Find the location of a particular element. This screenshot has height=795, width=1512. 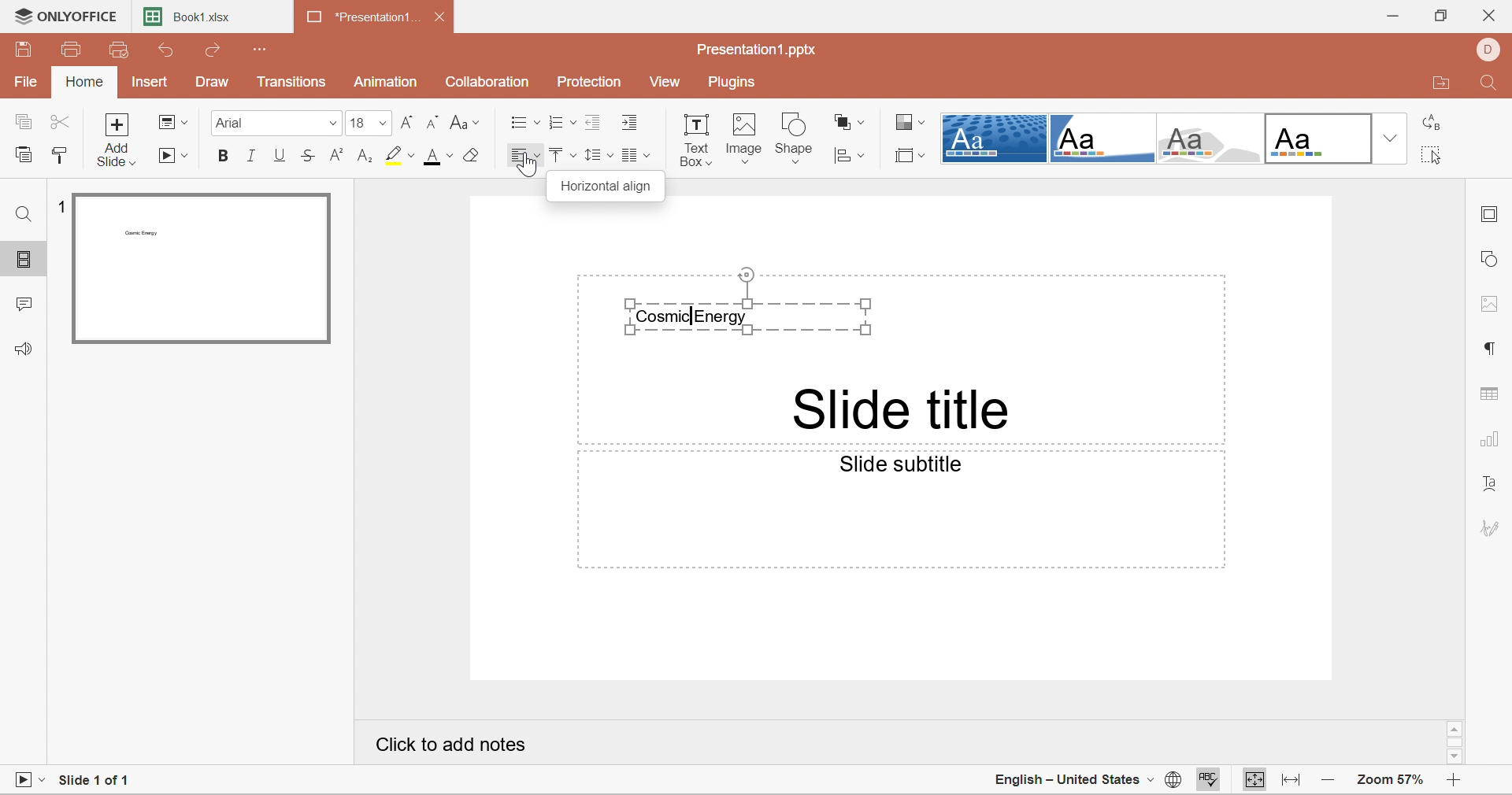

Text Art settings is located at coordinates (1494, 486).